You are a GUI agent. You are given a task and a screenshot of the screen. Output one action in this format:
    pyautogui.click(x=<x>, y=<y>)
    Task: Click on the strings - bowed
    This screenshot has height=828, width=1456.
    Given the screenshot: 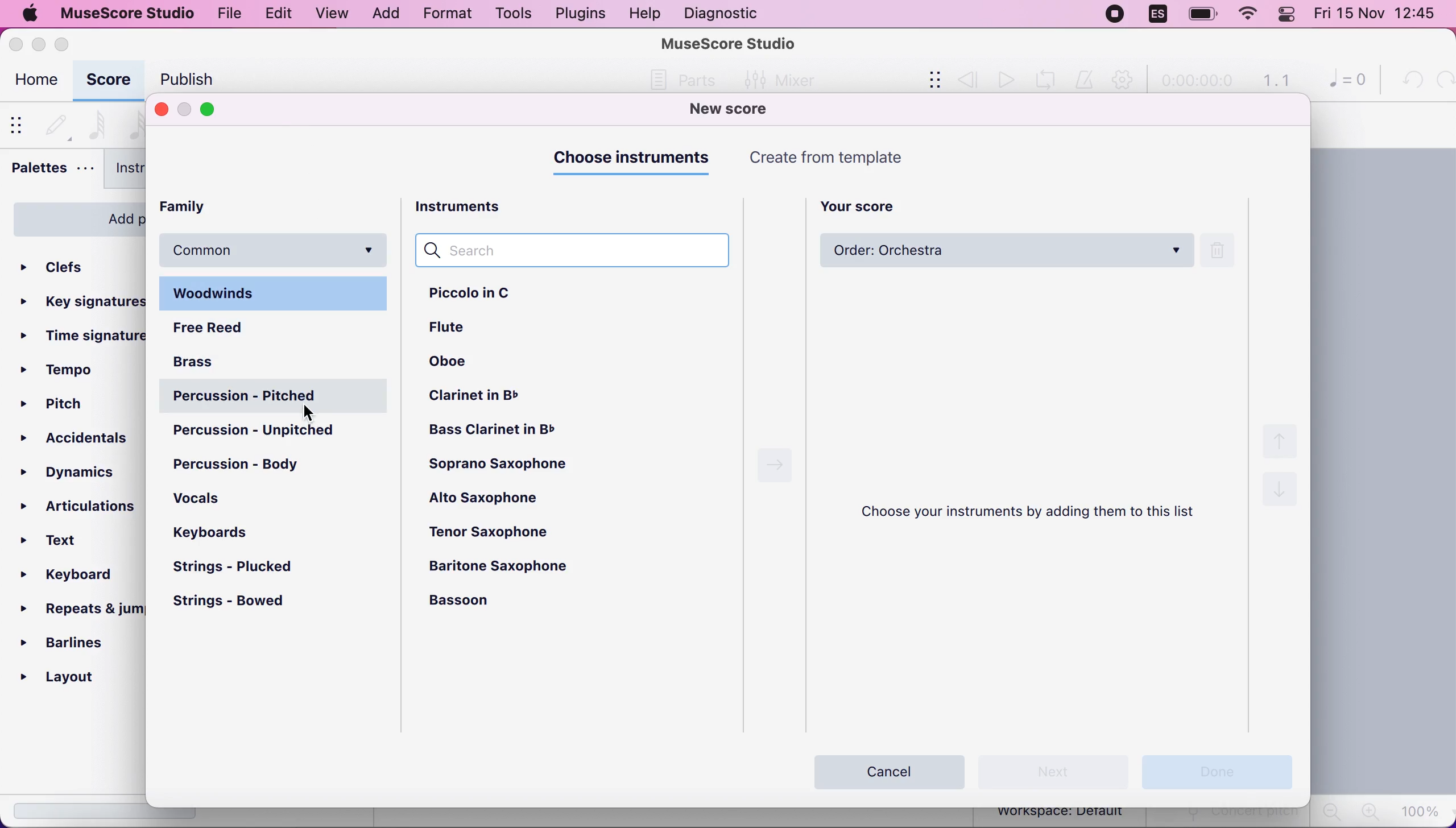 What is the action you would take?
    pyautogui.click(x=240, y=603)
    